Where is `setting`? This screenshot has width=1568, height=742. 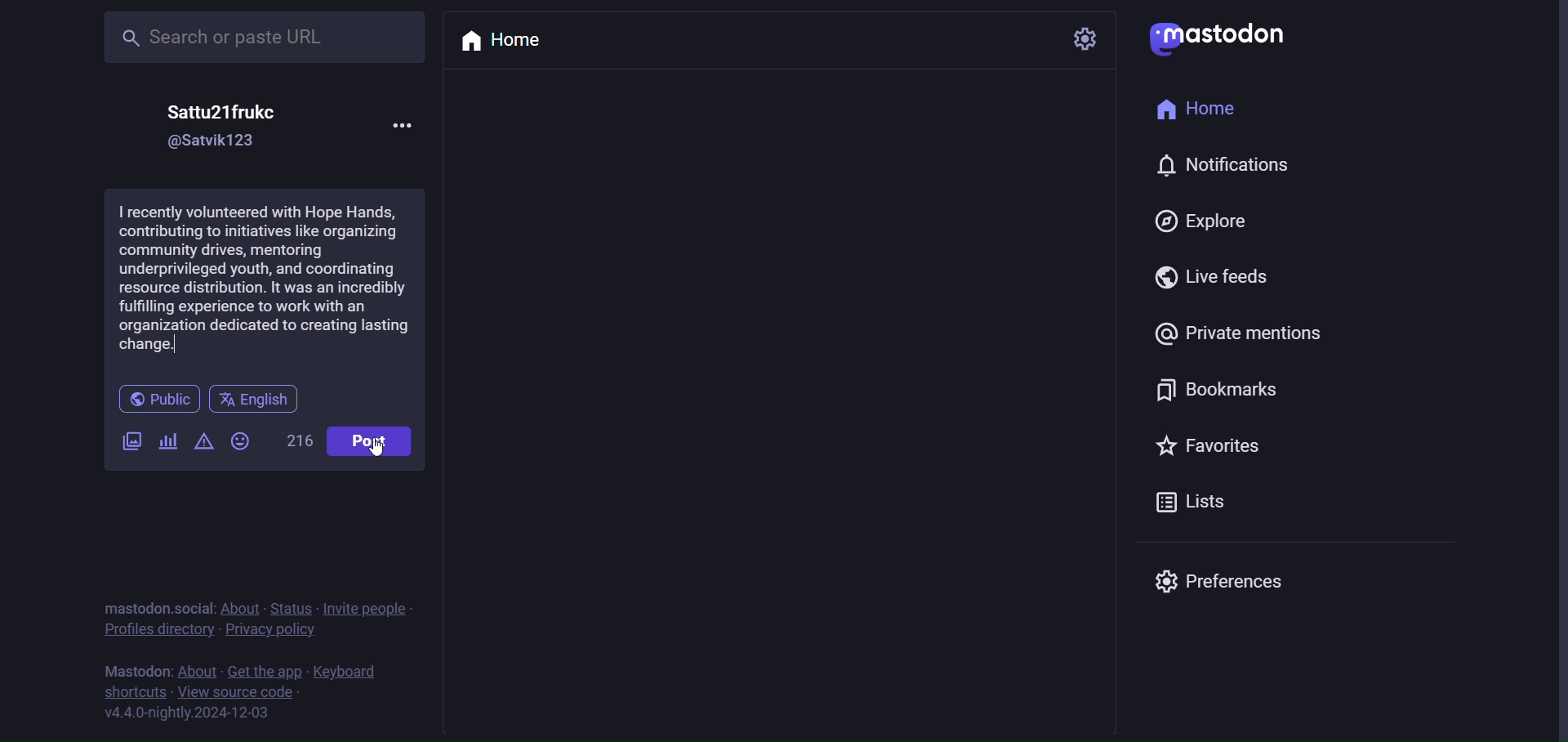 setting is located at coordinates (1082, 40).